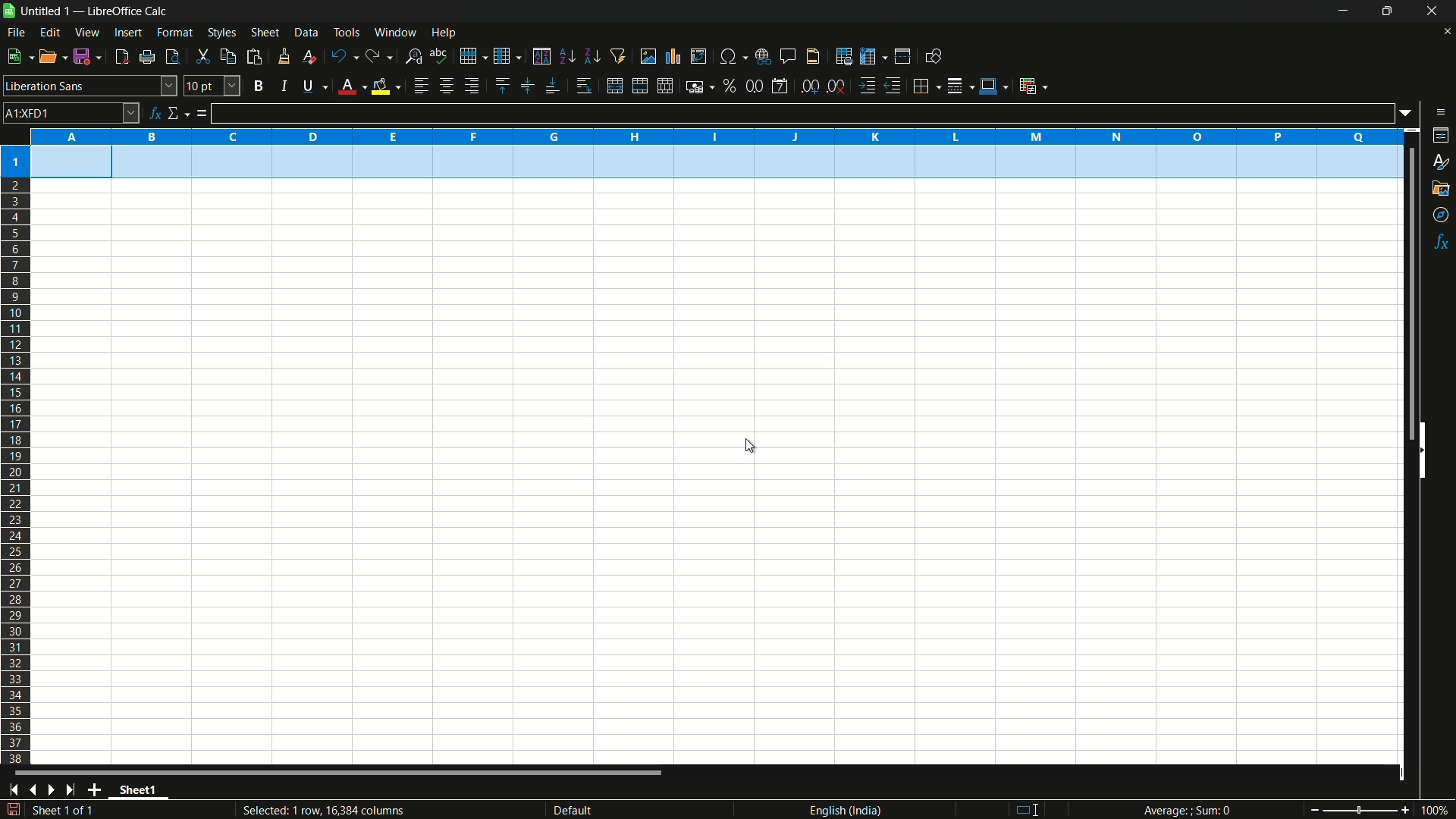  Describe the element at coordinates (89, 57) in the screenshot. I see `save` at that location.